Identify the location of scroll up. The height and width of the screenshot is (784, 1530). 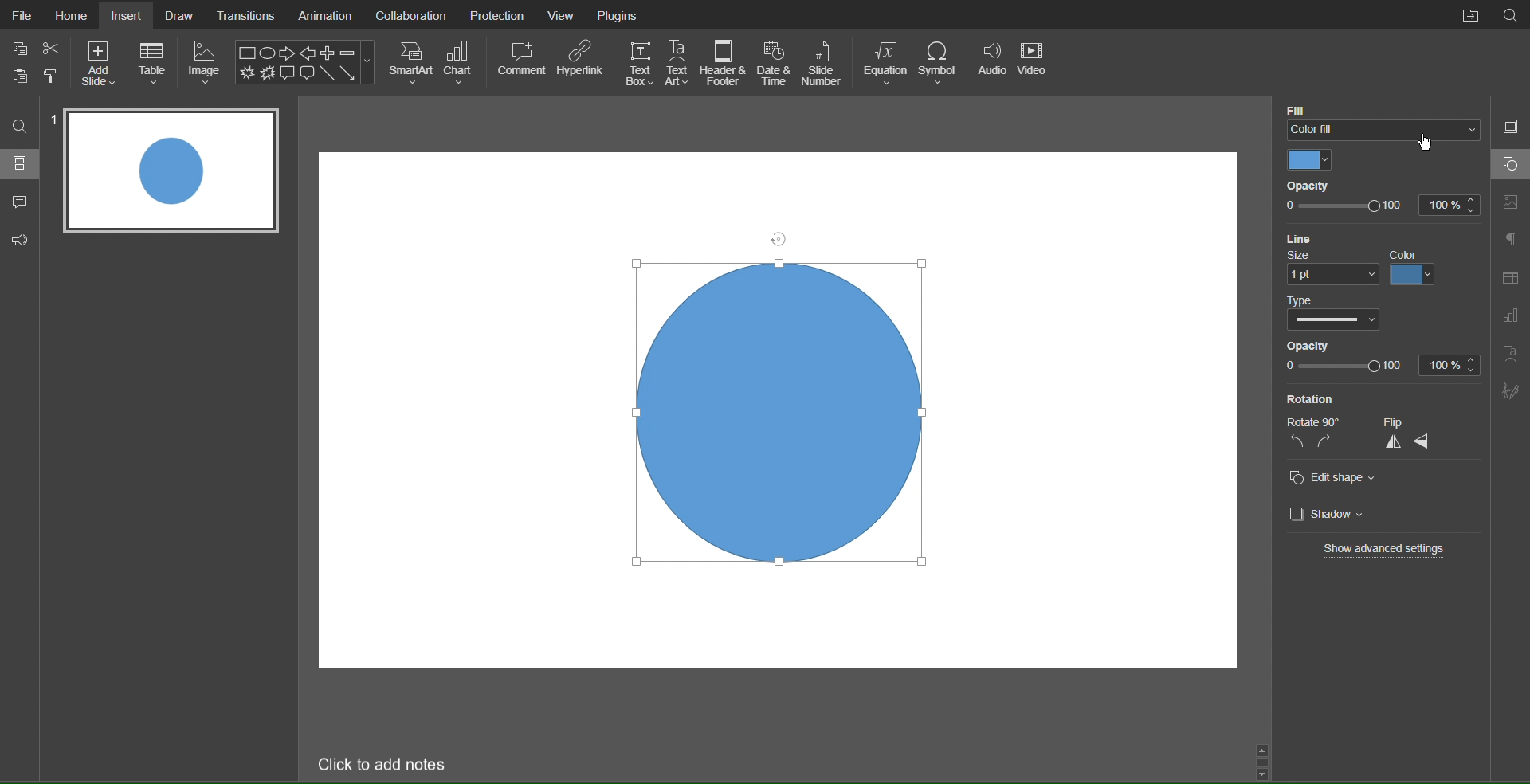
(1259, 749).